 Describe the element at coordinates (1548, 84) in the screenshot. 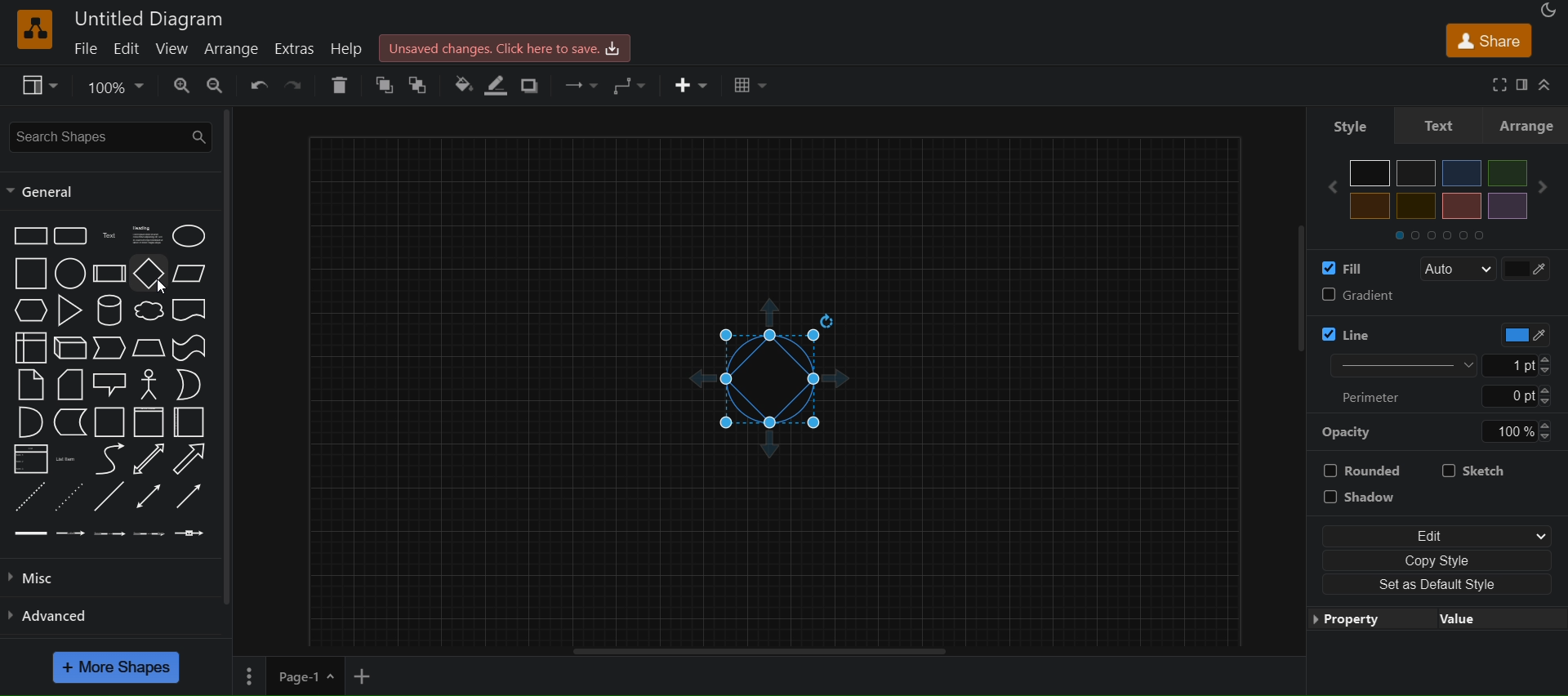

I see `collapase/expand` at that location.